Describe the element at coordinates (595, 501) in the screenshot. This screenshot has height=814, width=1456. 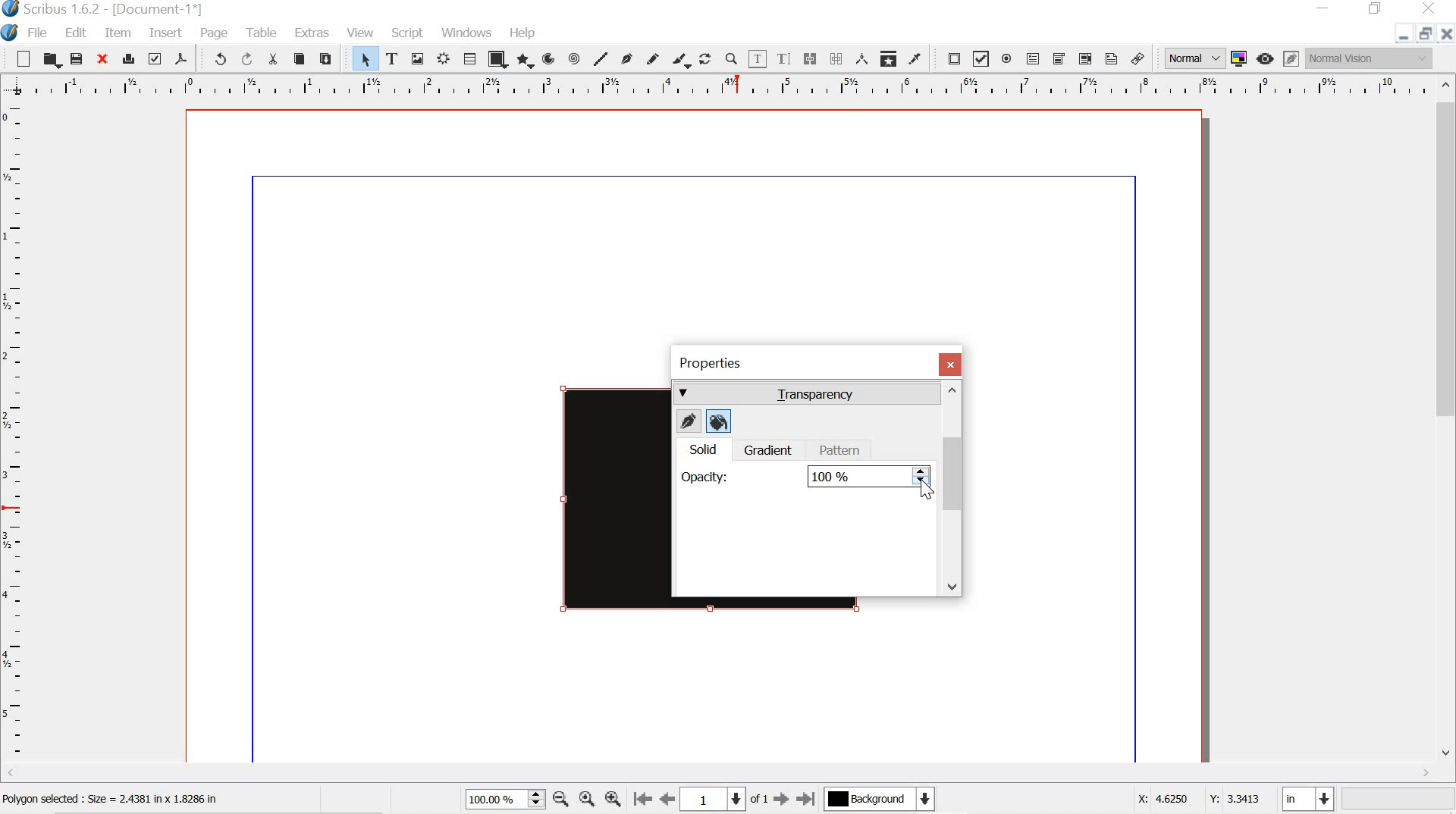
I see `black polygon` at that location.